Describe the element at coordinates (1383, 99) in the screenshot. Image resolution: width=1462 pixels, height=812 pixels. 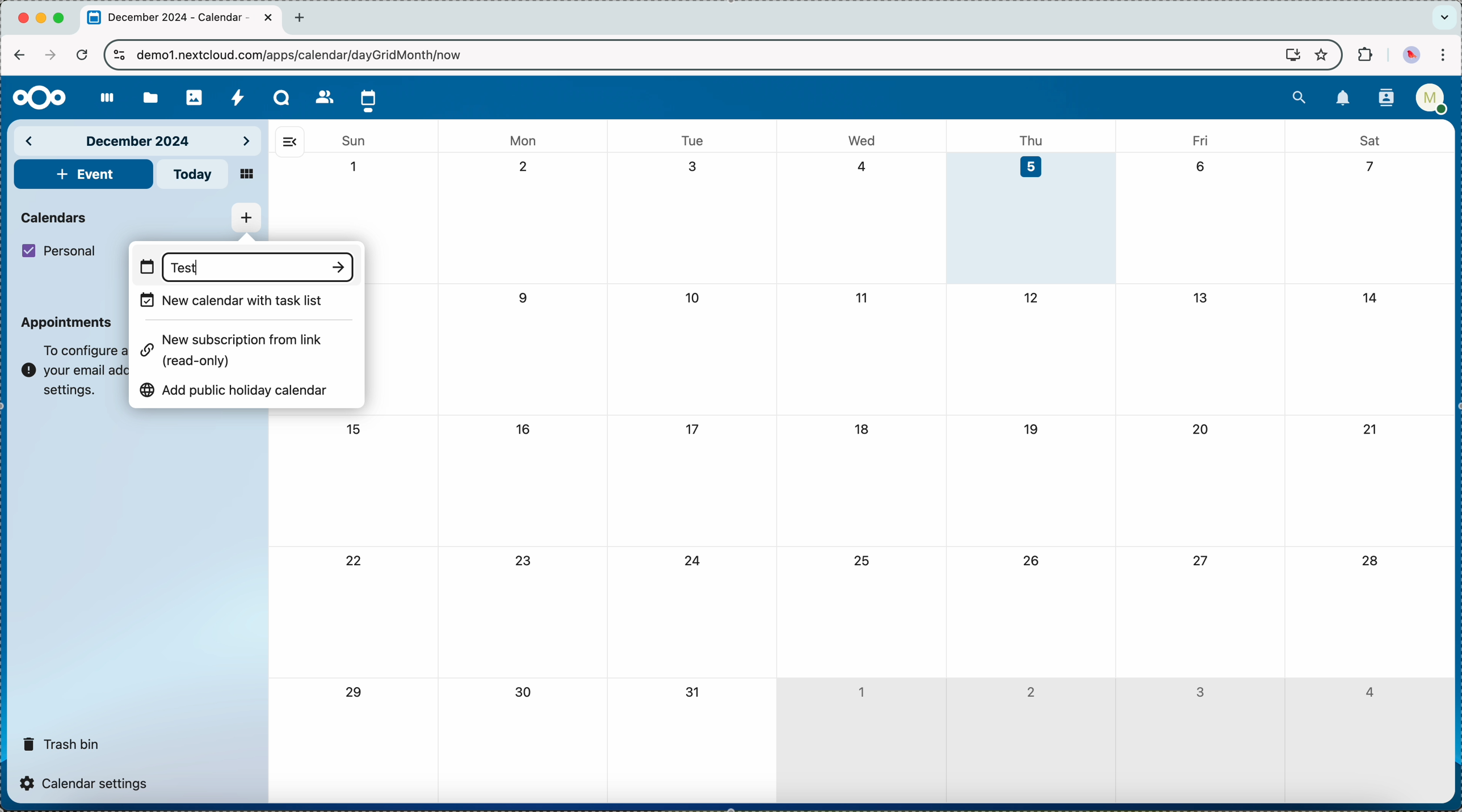
I see `contacts` at that location.